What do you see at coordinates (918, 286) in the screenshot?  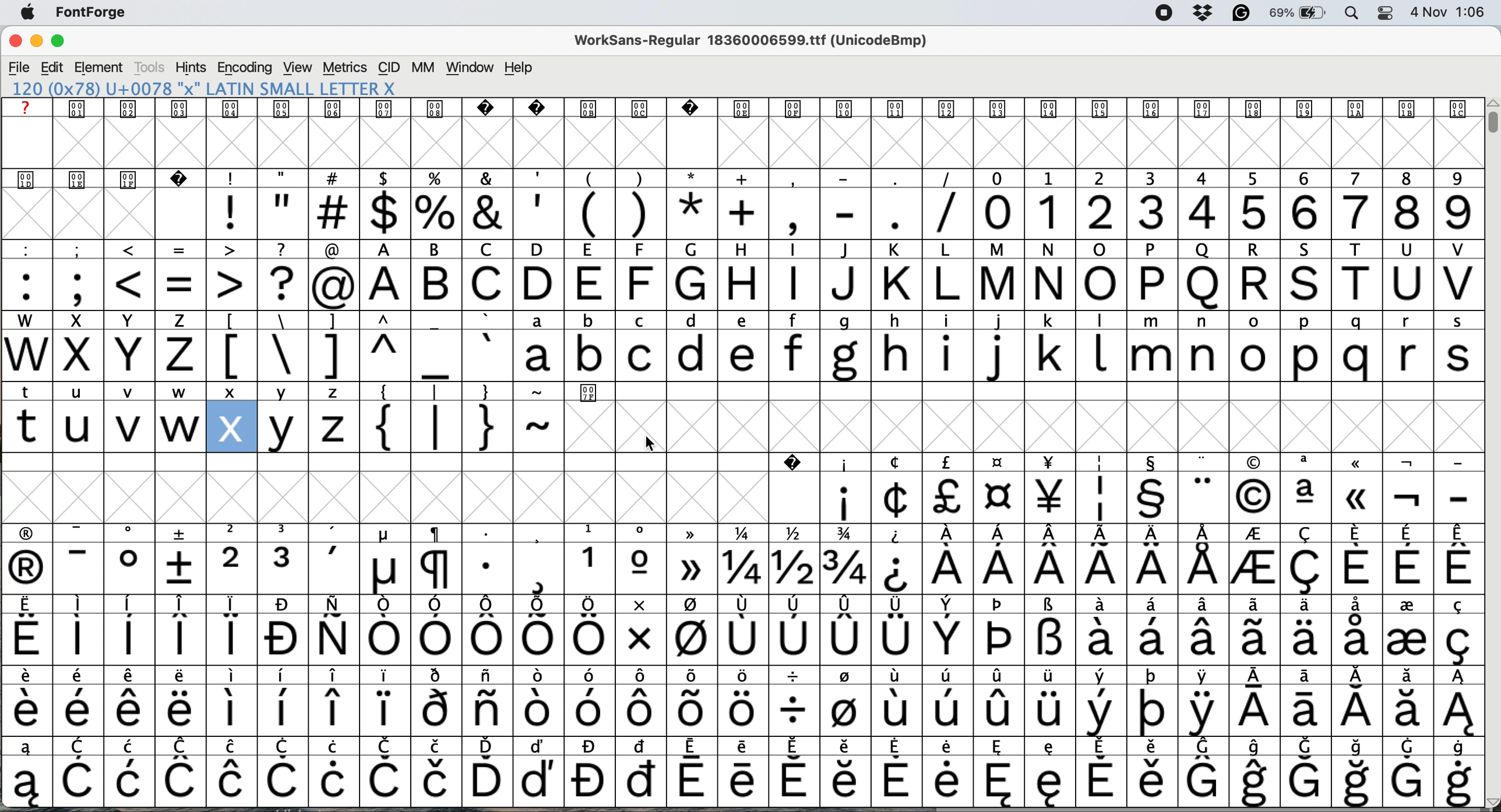 I see `capital letters a to v` at bounding box center [918, 286].